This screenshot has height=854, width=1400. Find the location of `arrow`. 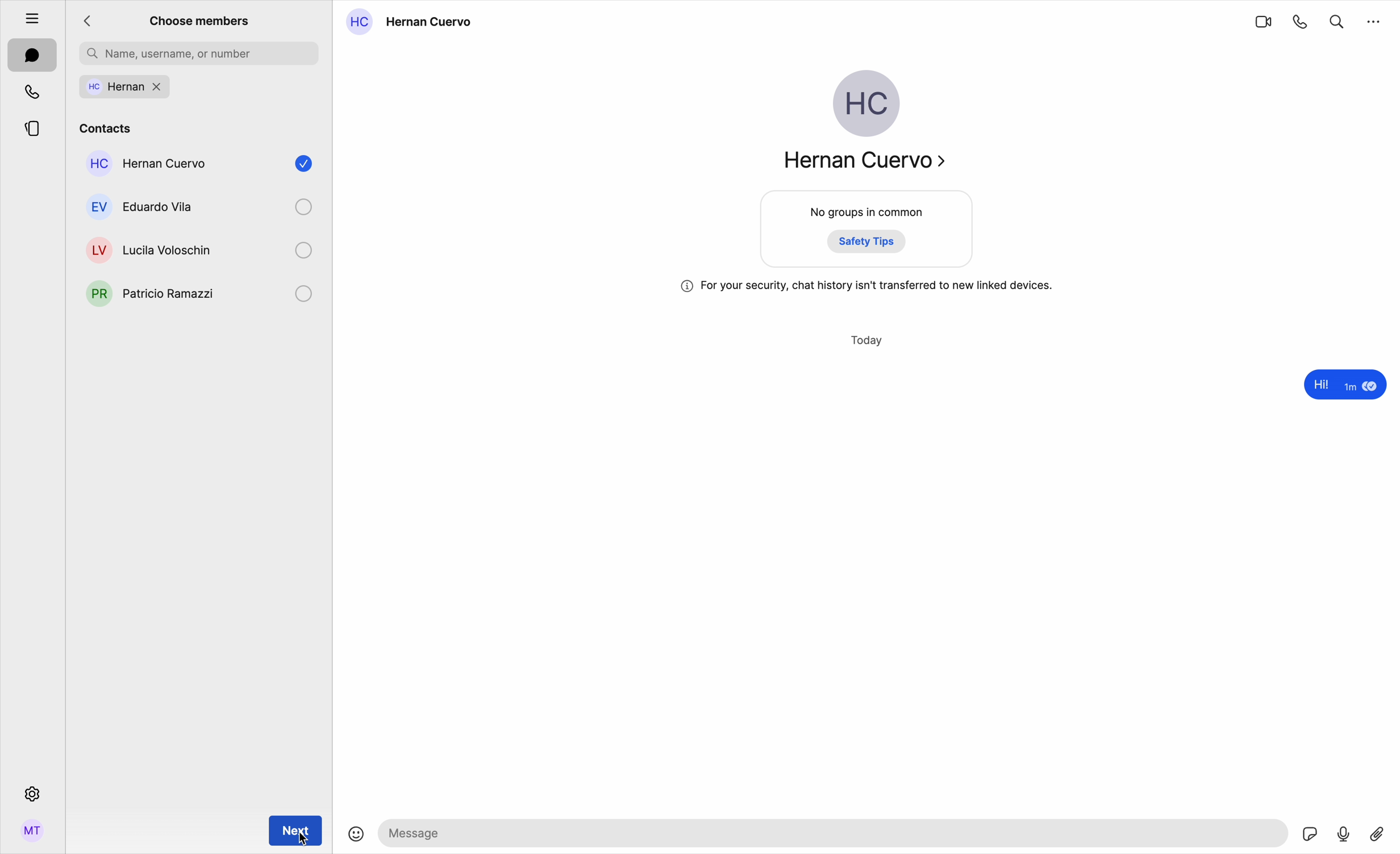

arrow is located at coordinates (91, 22).